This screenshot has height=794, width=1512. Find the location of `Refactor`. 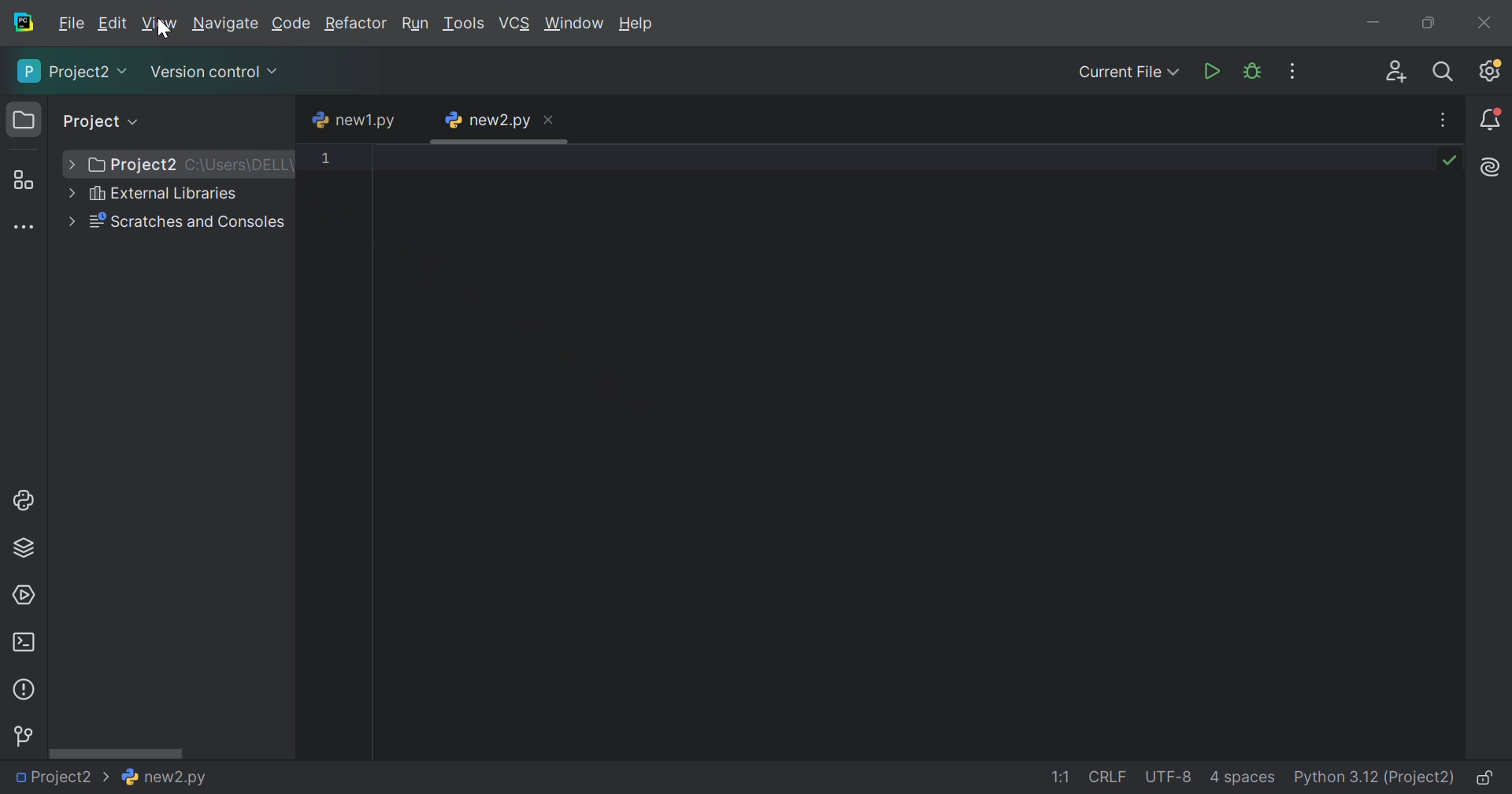

Refactor is located at coordinates (358, 24).